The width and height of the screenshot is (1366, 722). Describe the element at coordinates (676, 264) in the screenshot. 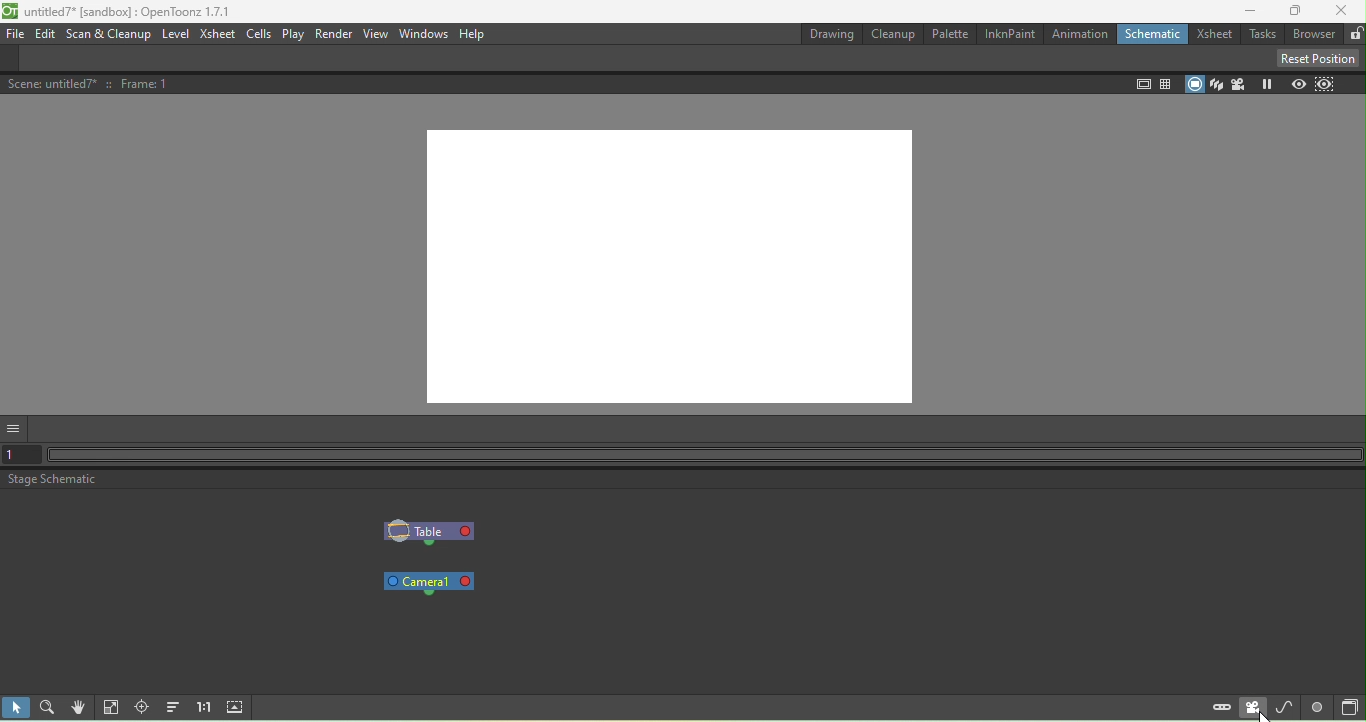

I see `Canvas` at that location.